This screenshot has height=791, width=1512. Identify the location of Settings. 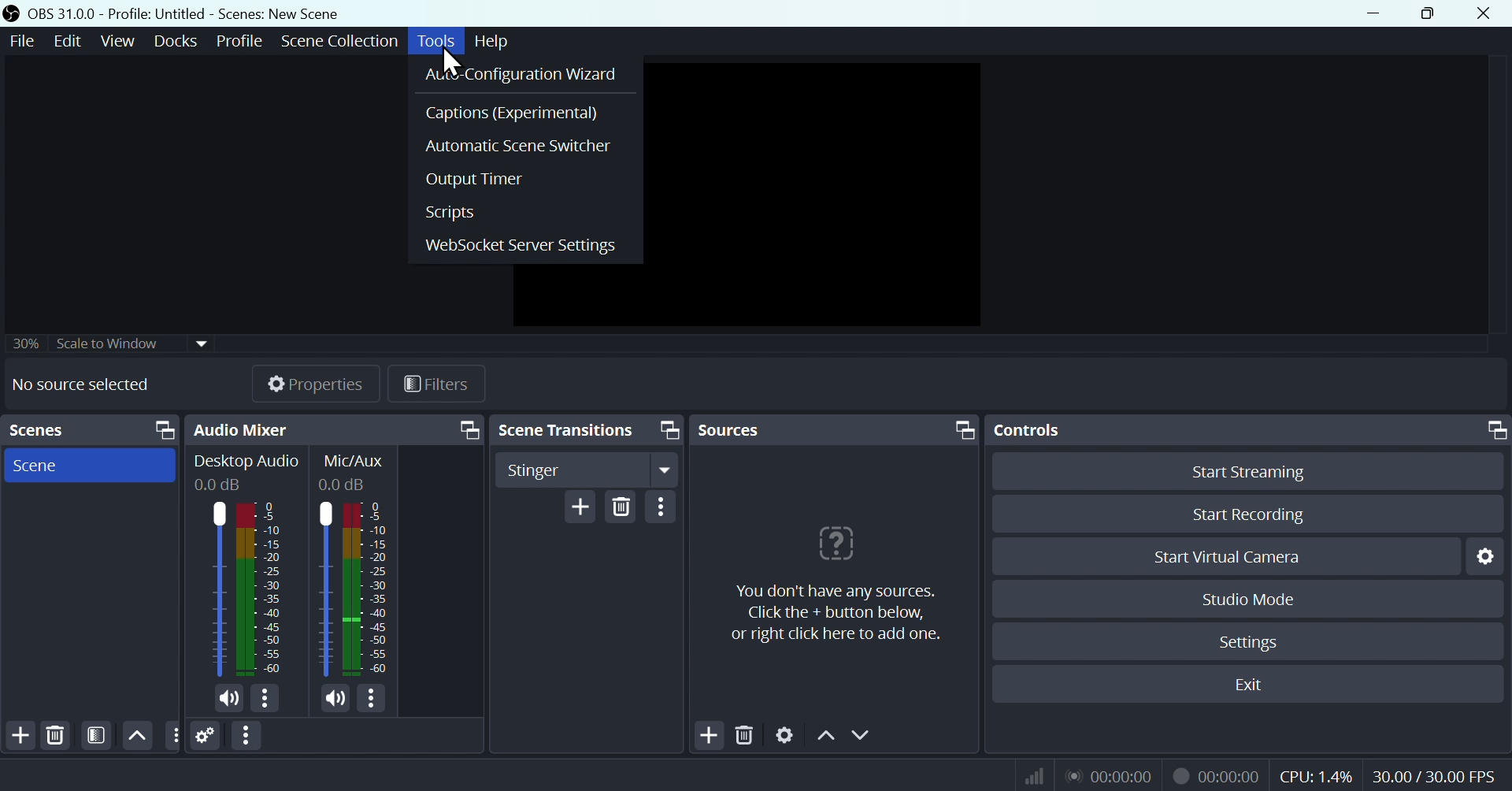
(206, 735).